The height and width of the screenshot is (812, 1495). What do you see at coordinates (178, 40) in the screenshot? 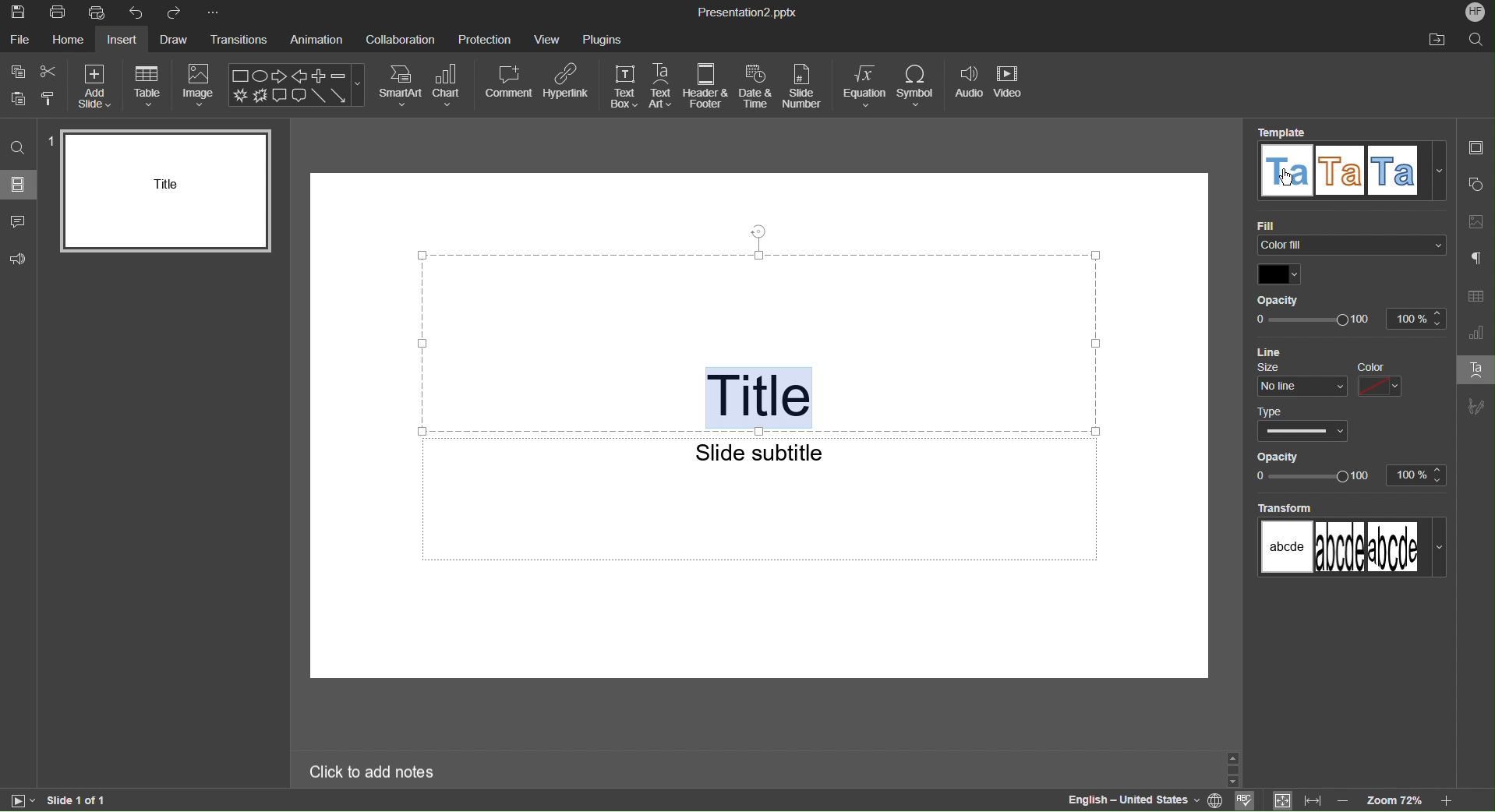
I see `Draw` at bounding box center [178, 40].